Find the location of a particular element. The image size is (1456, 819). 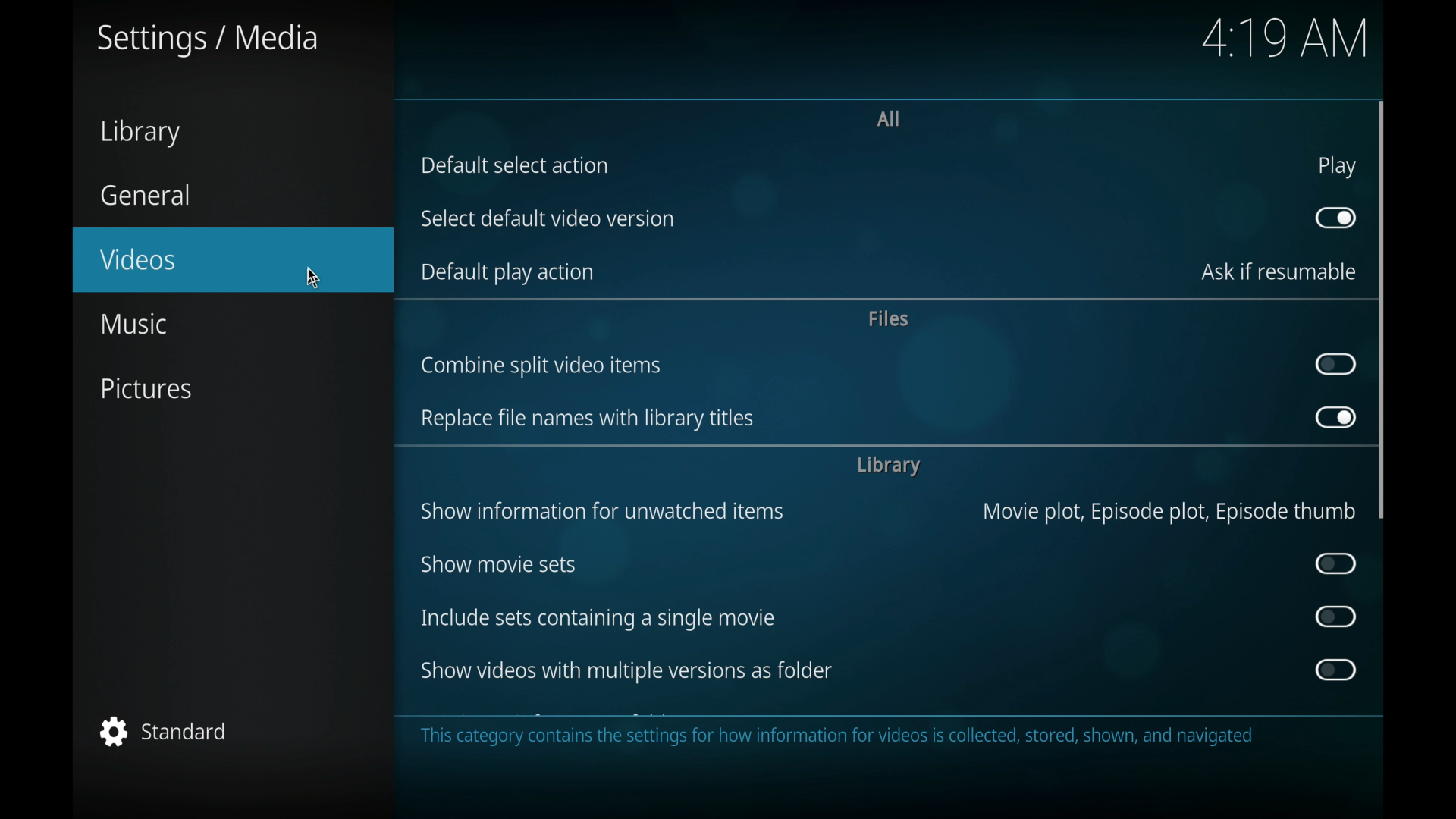

play is located at coordinates (1336, 166).